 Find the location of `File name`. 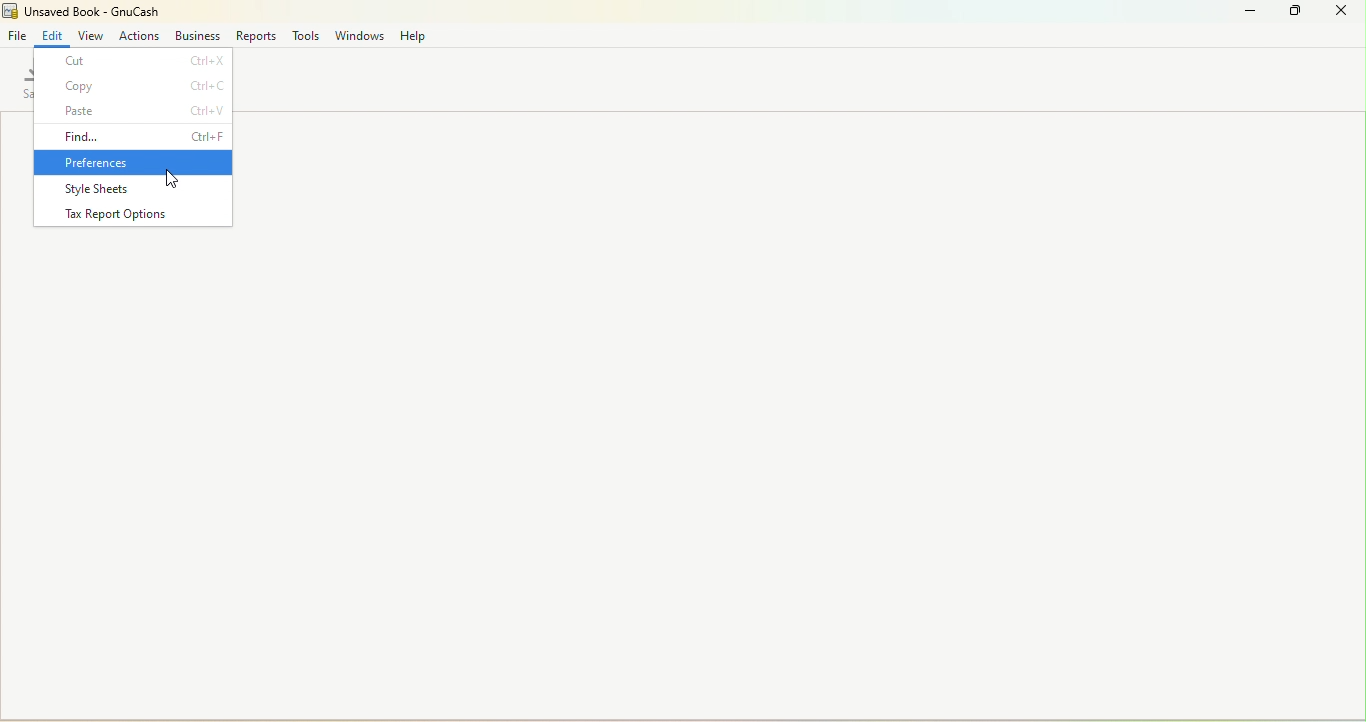

File name is located at coordinates (84, 10).